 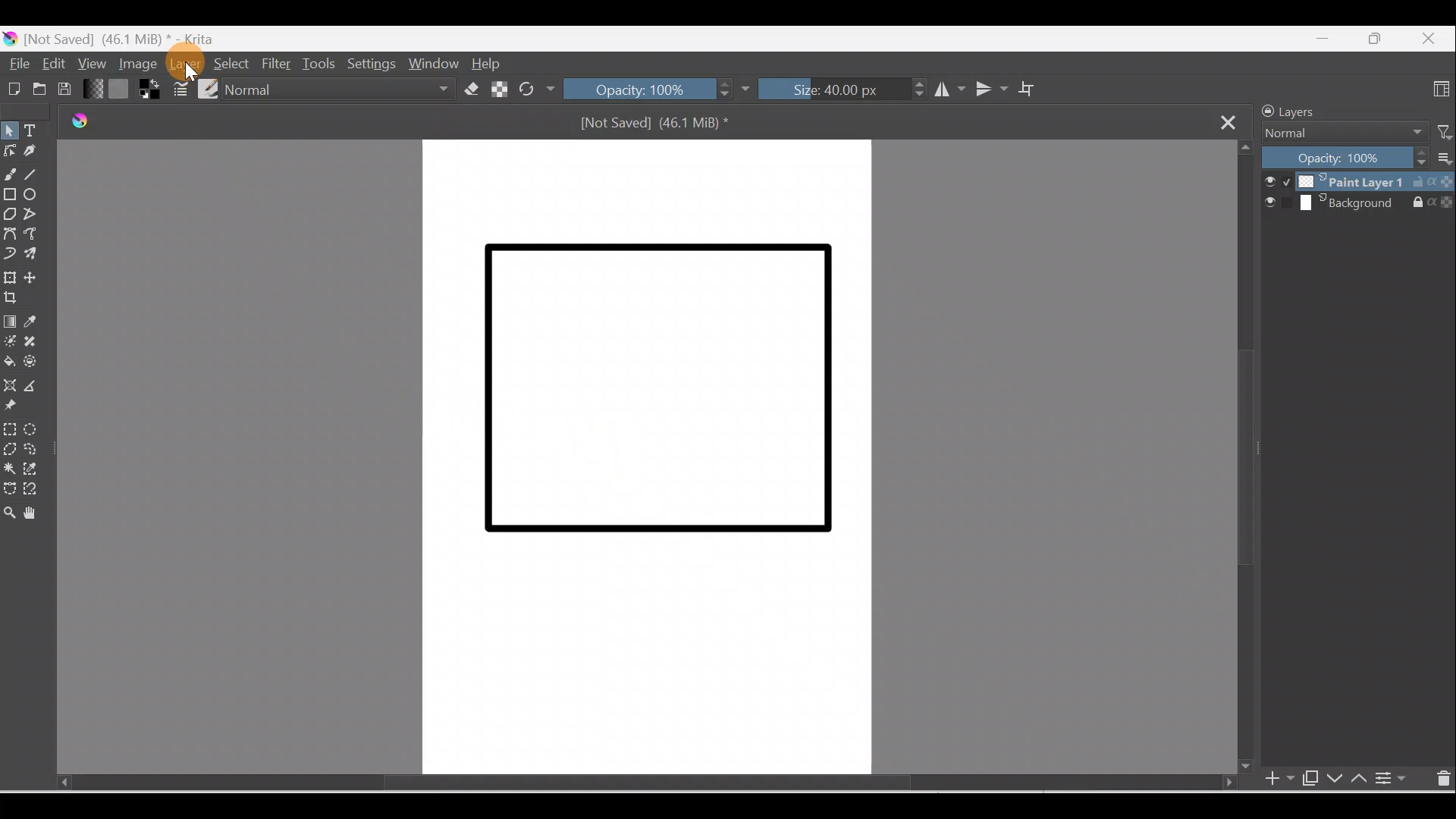 What do you see at coordinates (39, 341) in the screenshot?
I see `Smart patch tool` at bounding box center [39, 341].